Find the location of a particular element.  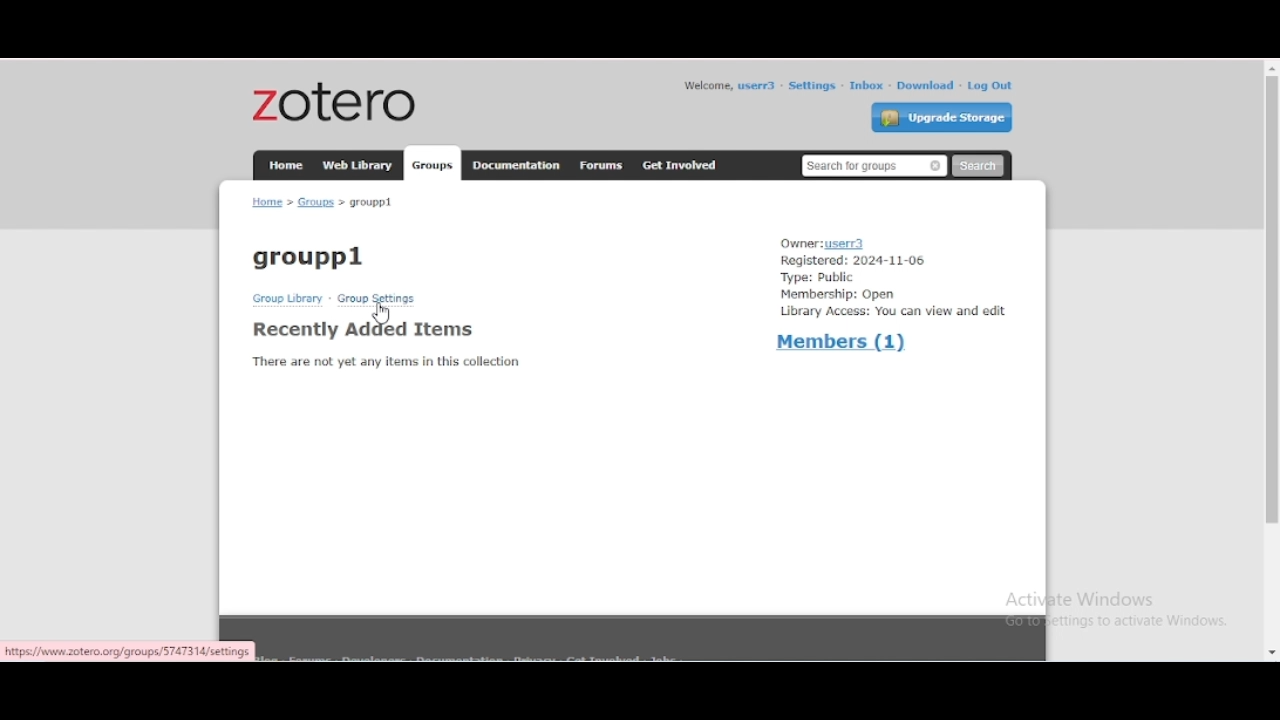

settings is located at coordinates (812, 86).